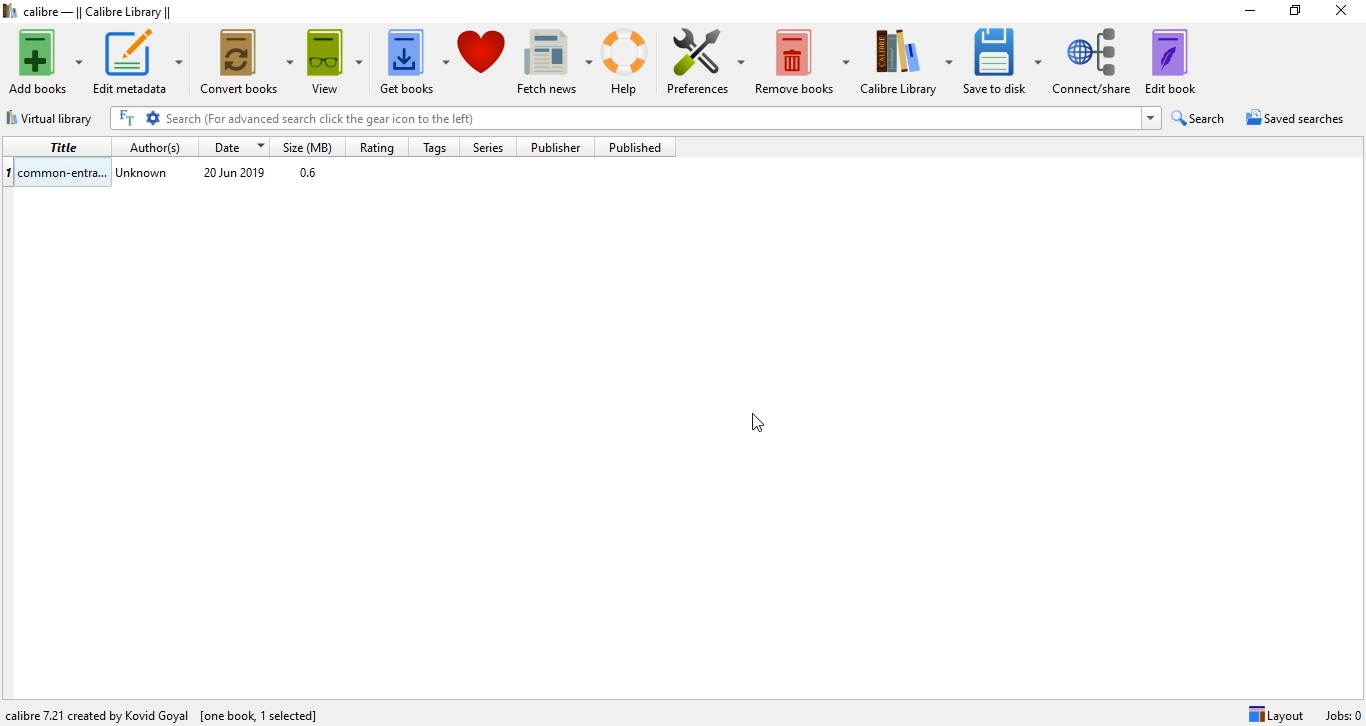 The image size is (1366, 726). What do you see at coordinates (156, 145) in the screenshot?
I see `Author(s)` at bounding box center [156, 145].